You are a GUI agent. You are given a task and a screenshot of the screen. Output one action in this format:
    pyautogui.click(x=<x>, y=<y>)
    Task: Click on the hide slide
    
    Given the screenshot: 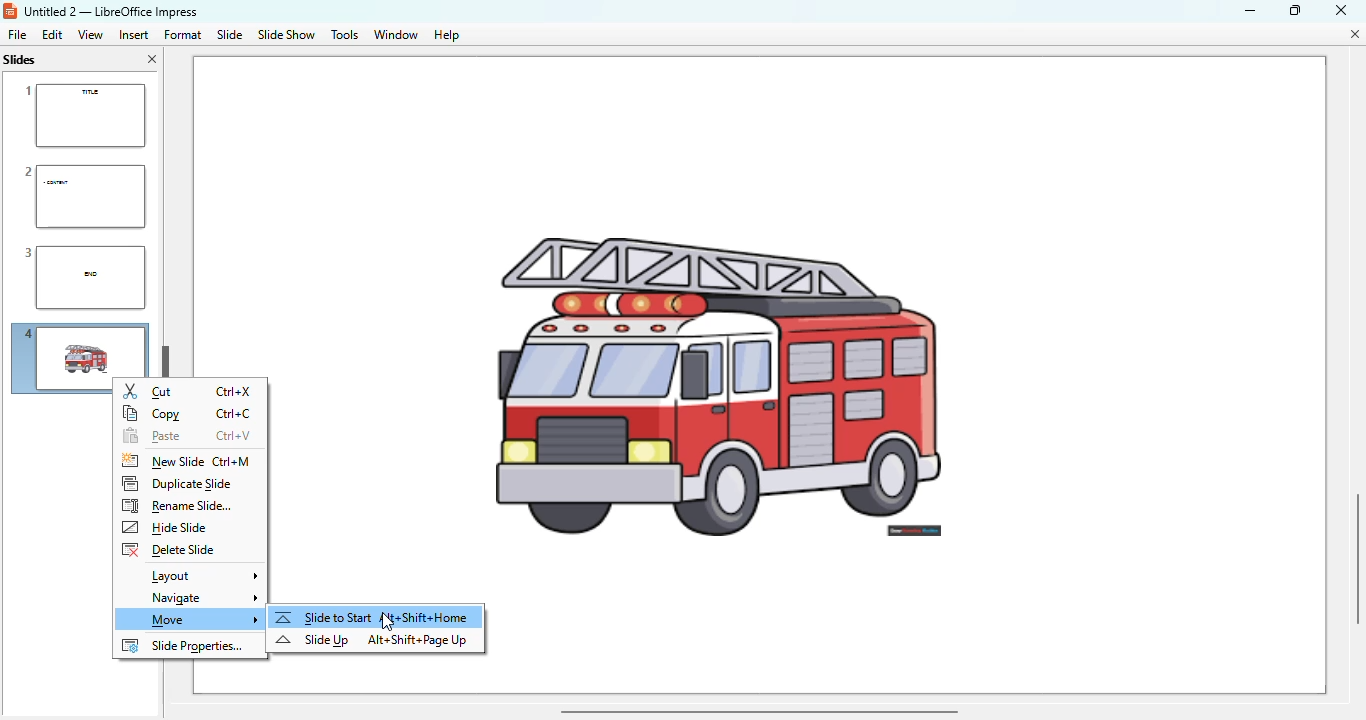 What is the action you would take?
    pyautogui.click(x=166, y=528)
    